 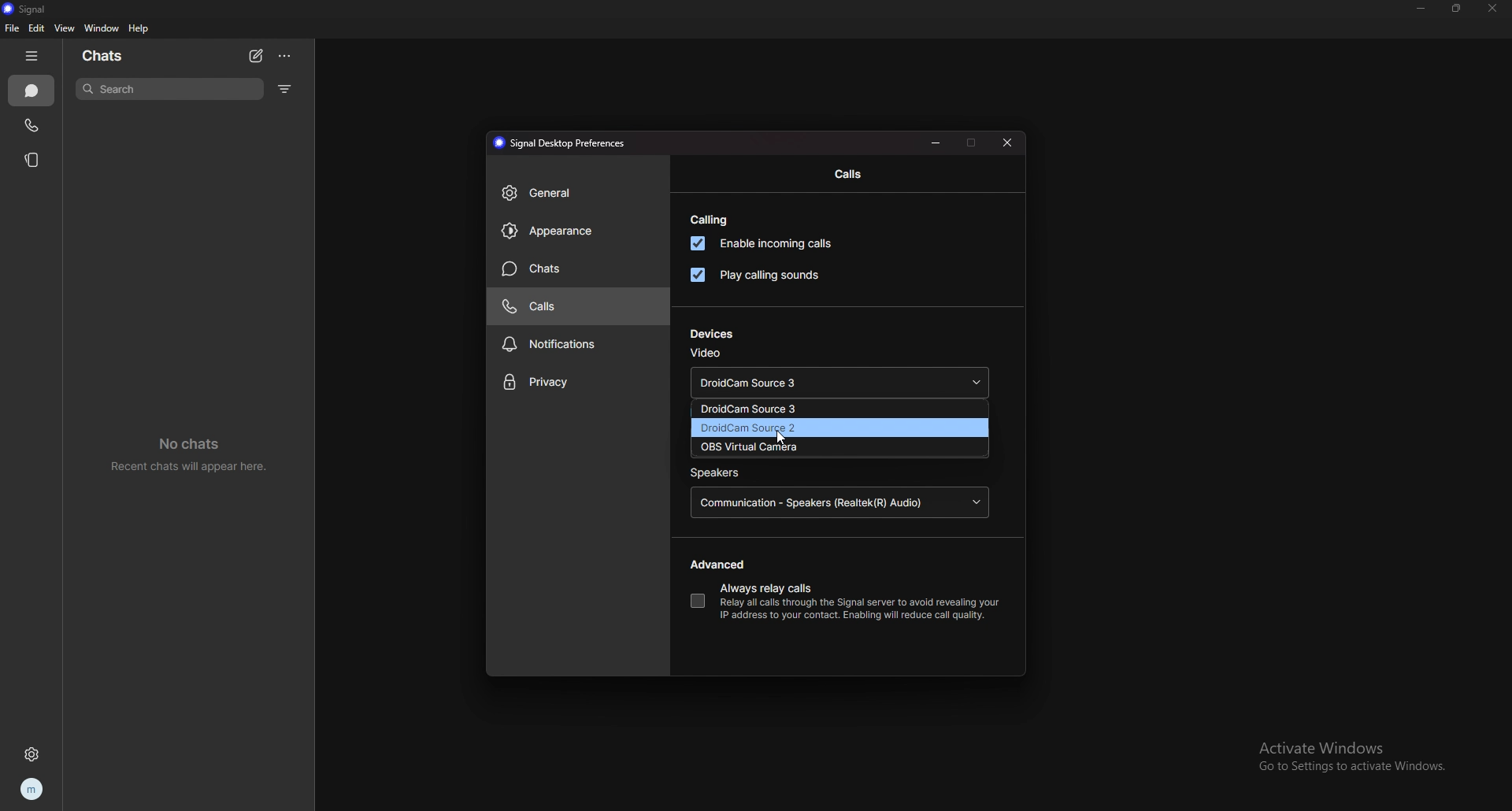 I want to click on settings, so click(x=35, y=754).